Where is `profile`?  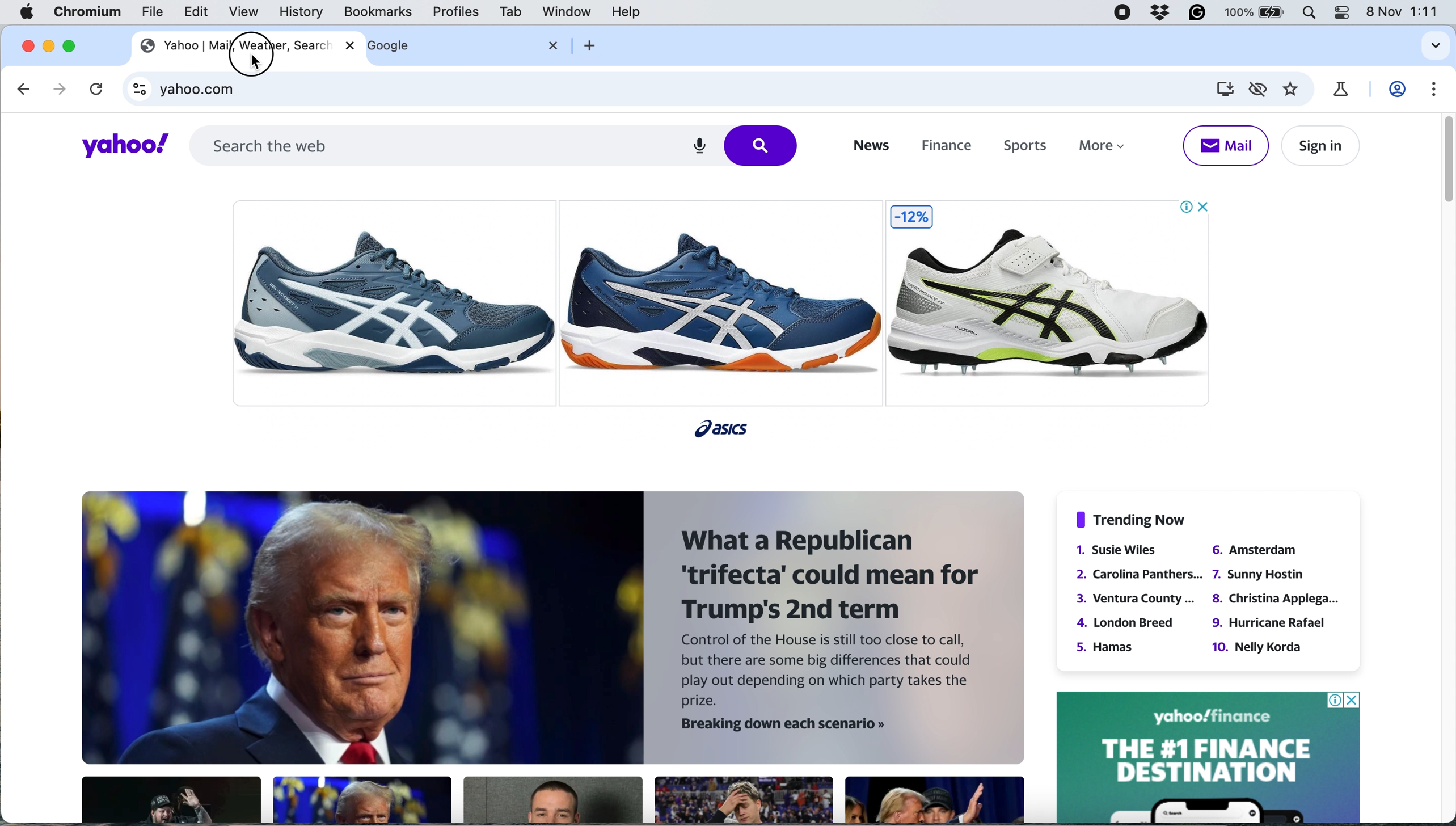 profile is located at coordinates (1399, 90).